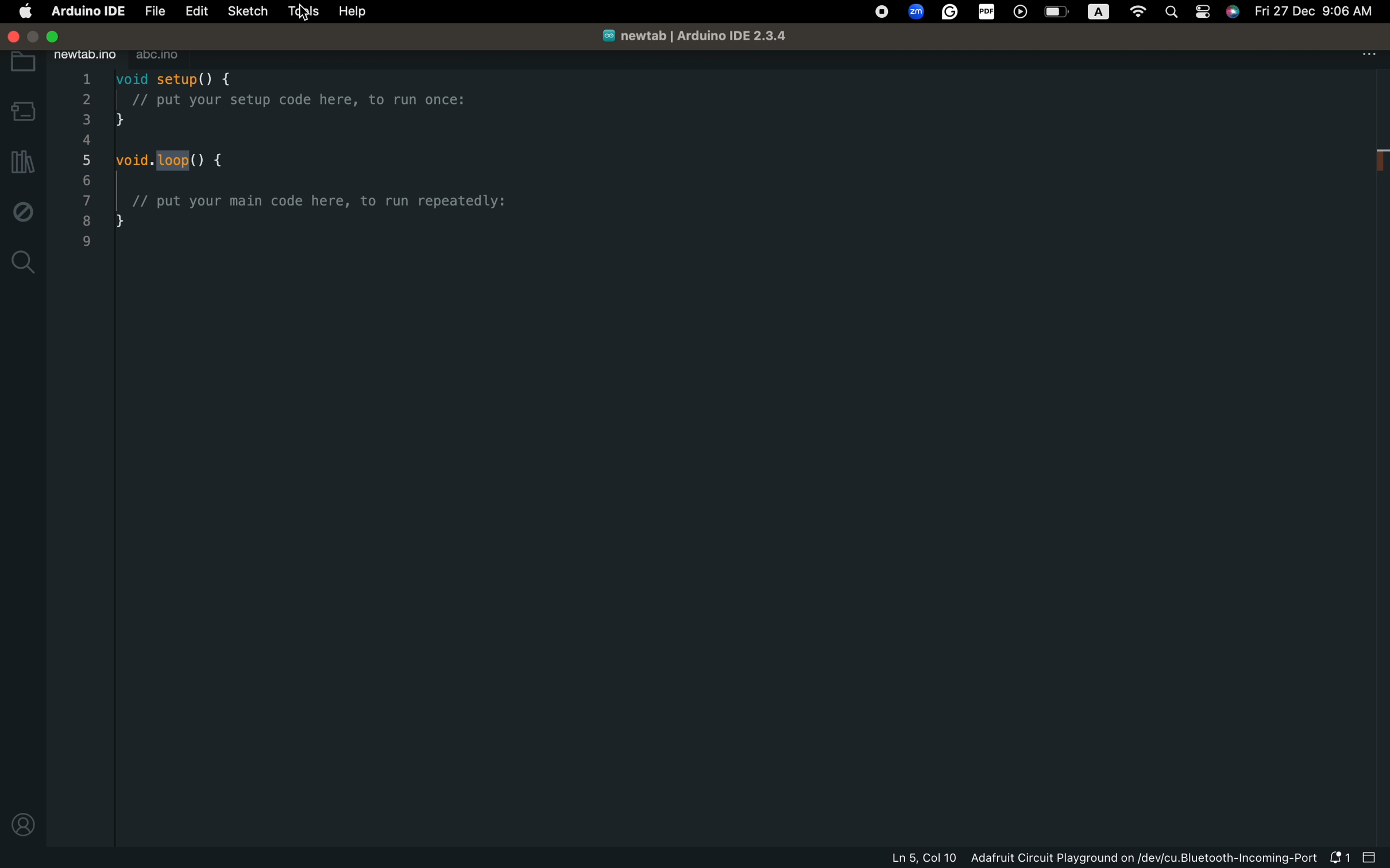 This screenshot has width=1390, height=868. What do you see at coordinates (926, 859) in the screenshot?
I see `Ln 5, Col 10` at bounding box center [926, 859].